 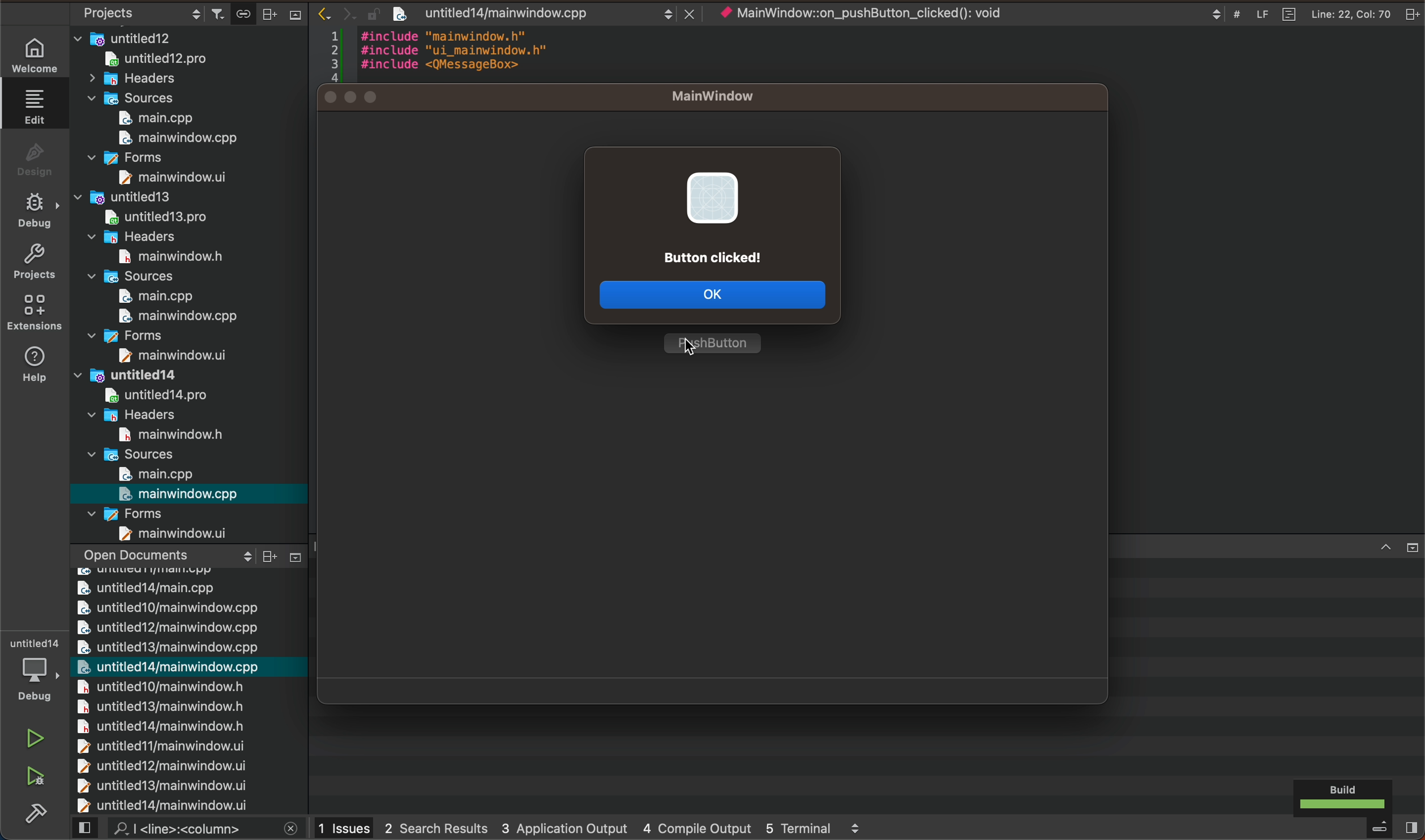 I want to click on projects, so click(x=33, y=260).